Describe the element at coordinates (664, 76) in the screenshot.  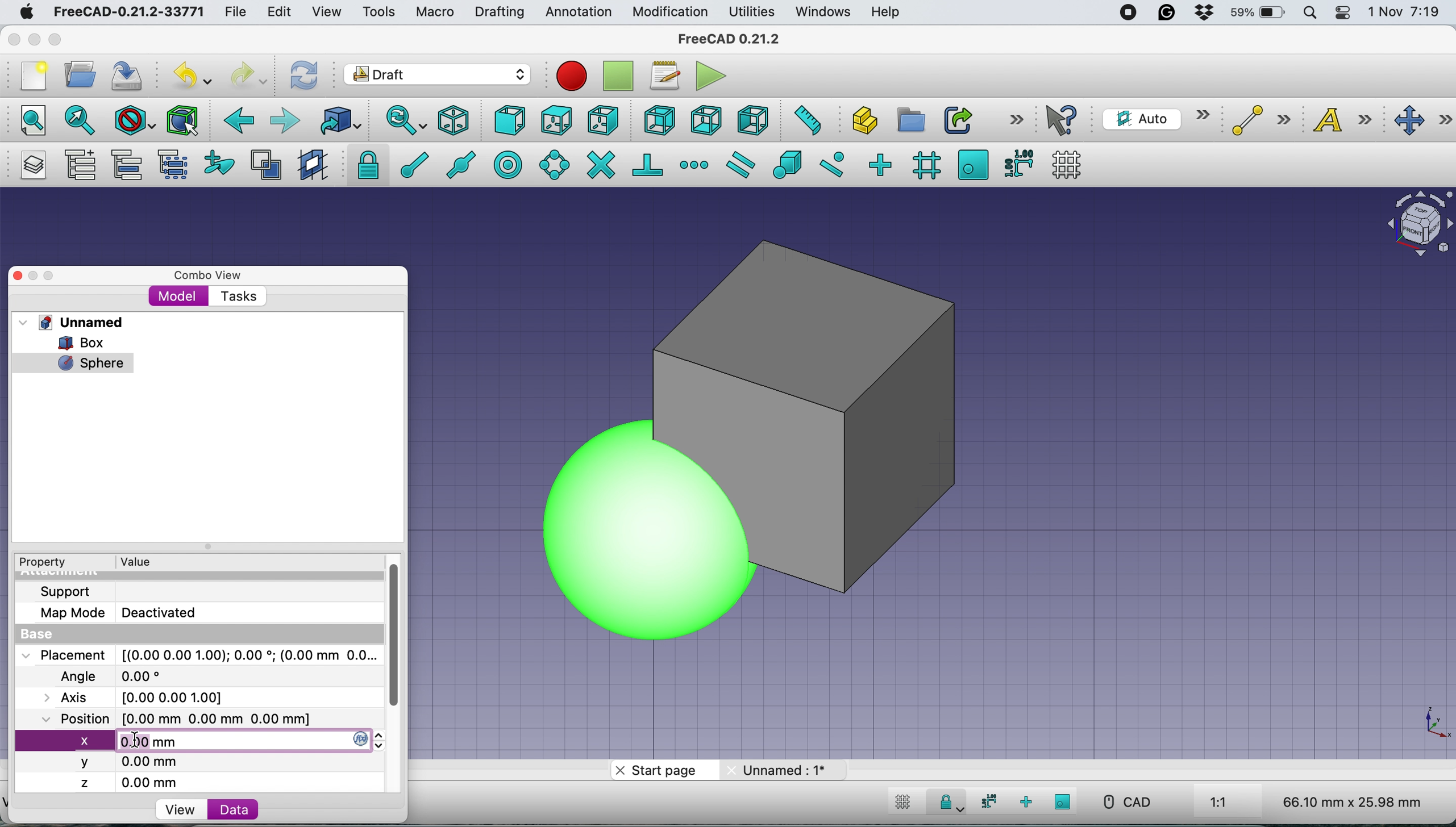
I see `macros` at that location.